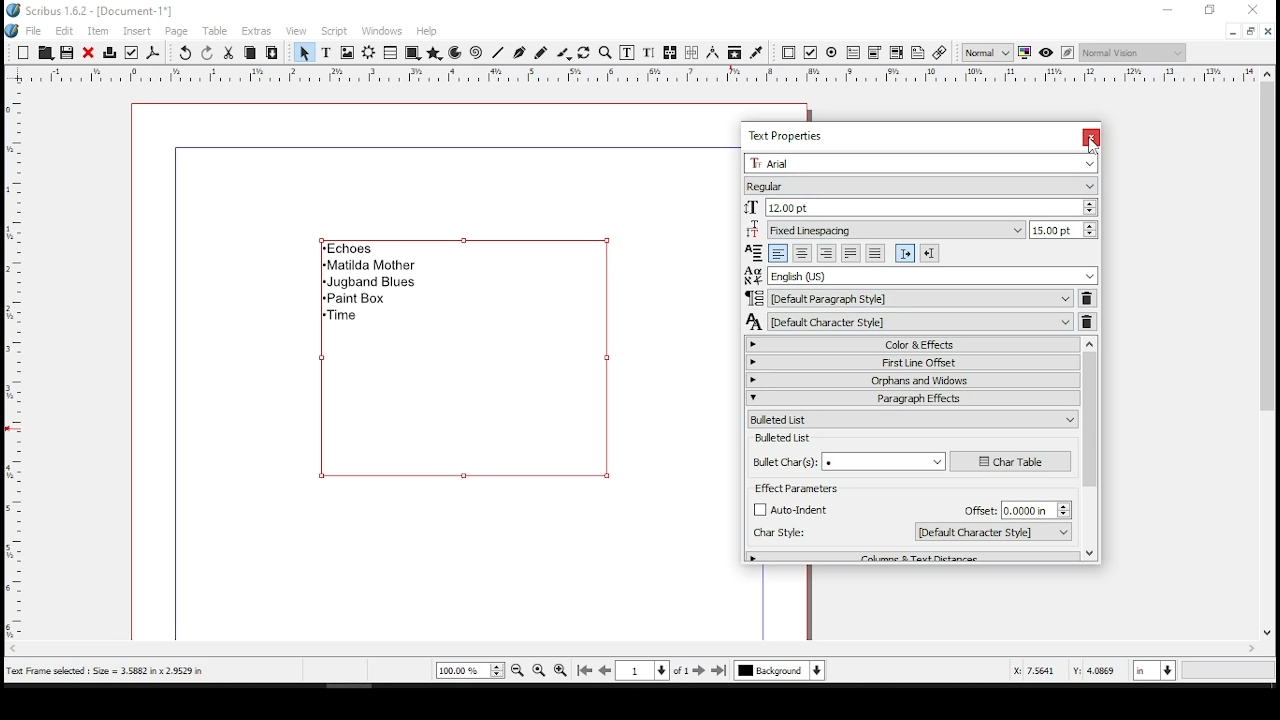 The height and width of the screenshot is (720, 1280). Describe the element at coordinates (918, 52) in the screenshot. I see `text annotation` at that location.